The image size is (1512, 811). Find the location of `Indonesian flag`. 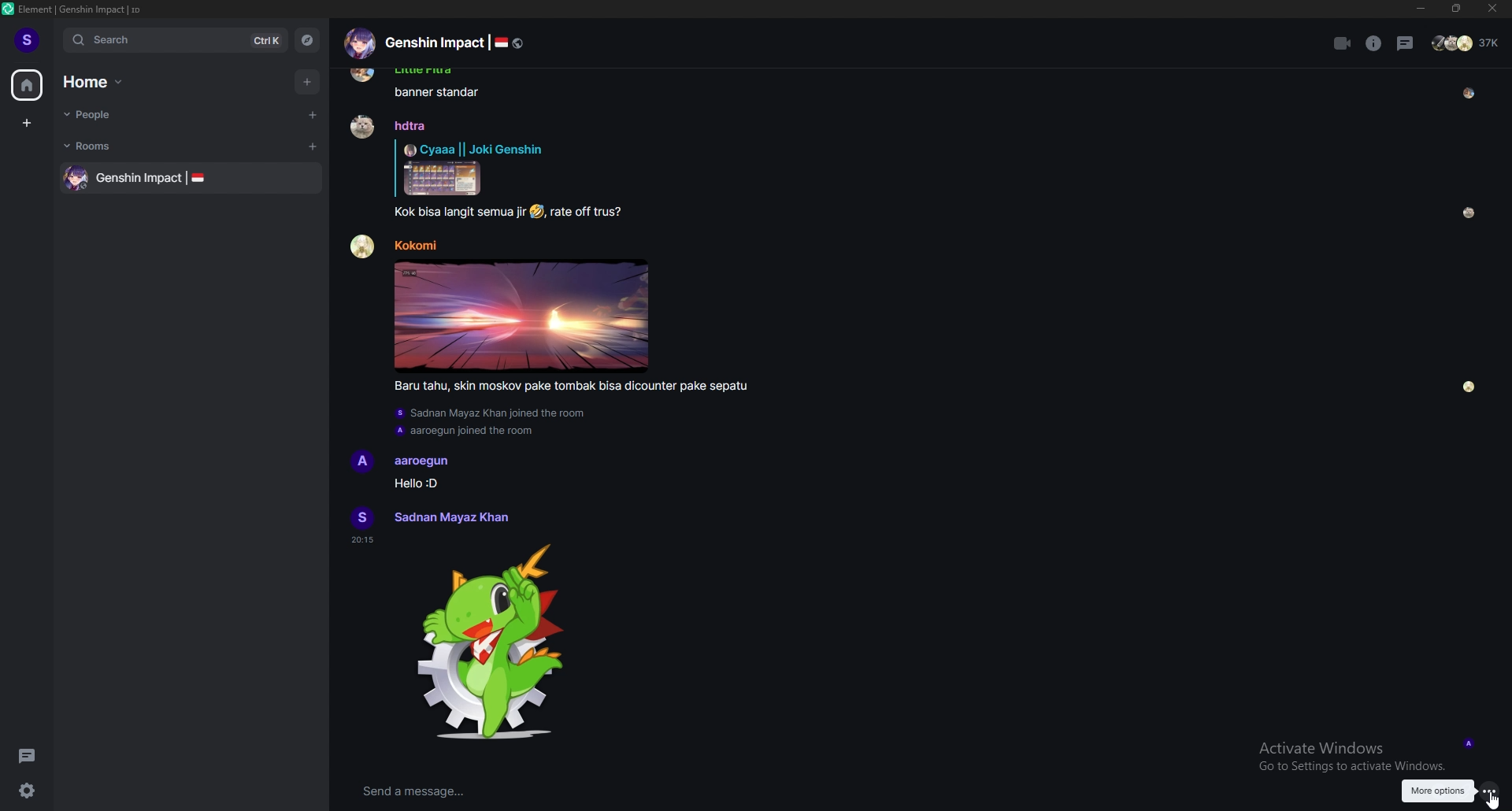

Indonesian flag is located at coordinates (501, 43).